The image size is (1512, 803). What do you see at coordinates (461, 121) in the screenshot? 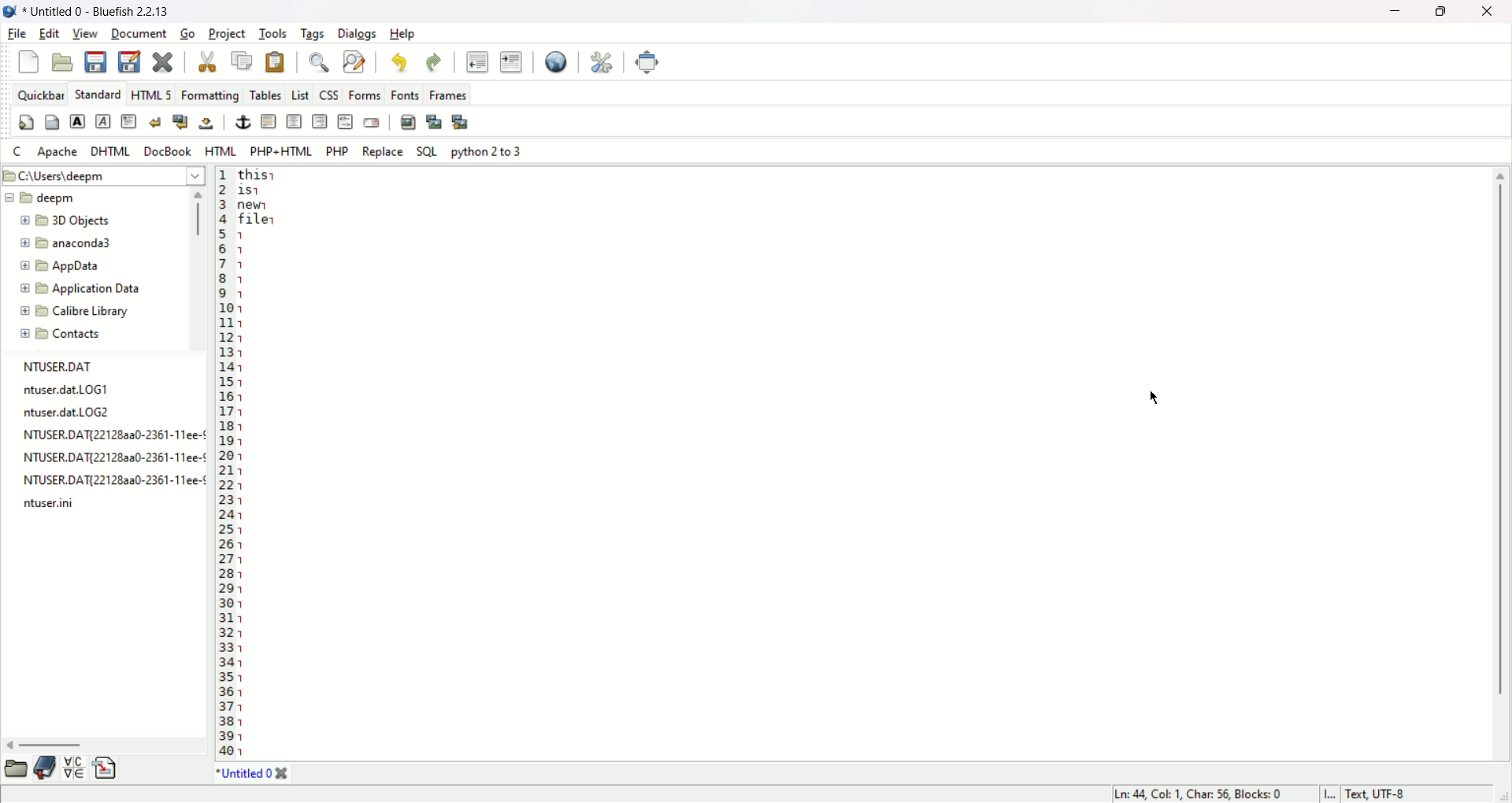
I see `multi thumbnail` at bounding box center [461, 121].